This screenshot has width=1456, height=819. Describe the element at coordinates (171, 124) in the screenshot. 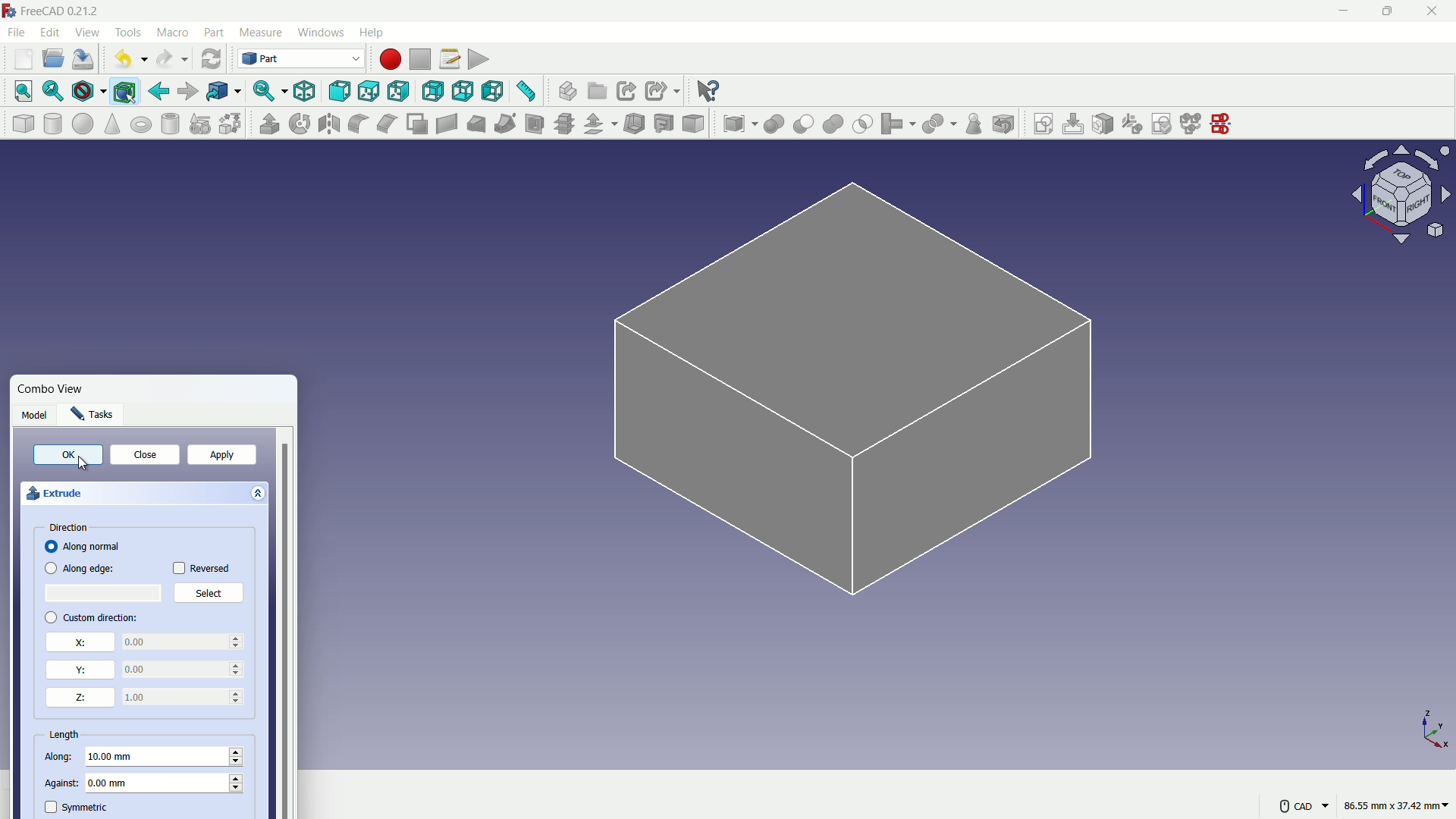

I see `hollow cylinder` at that location.